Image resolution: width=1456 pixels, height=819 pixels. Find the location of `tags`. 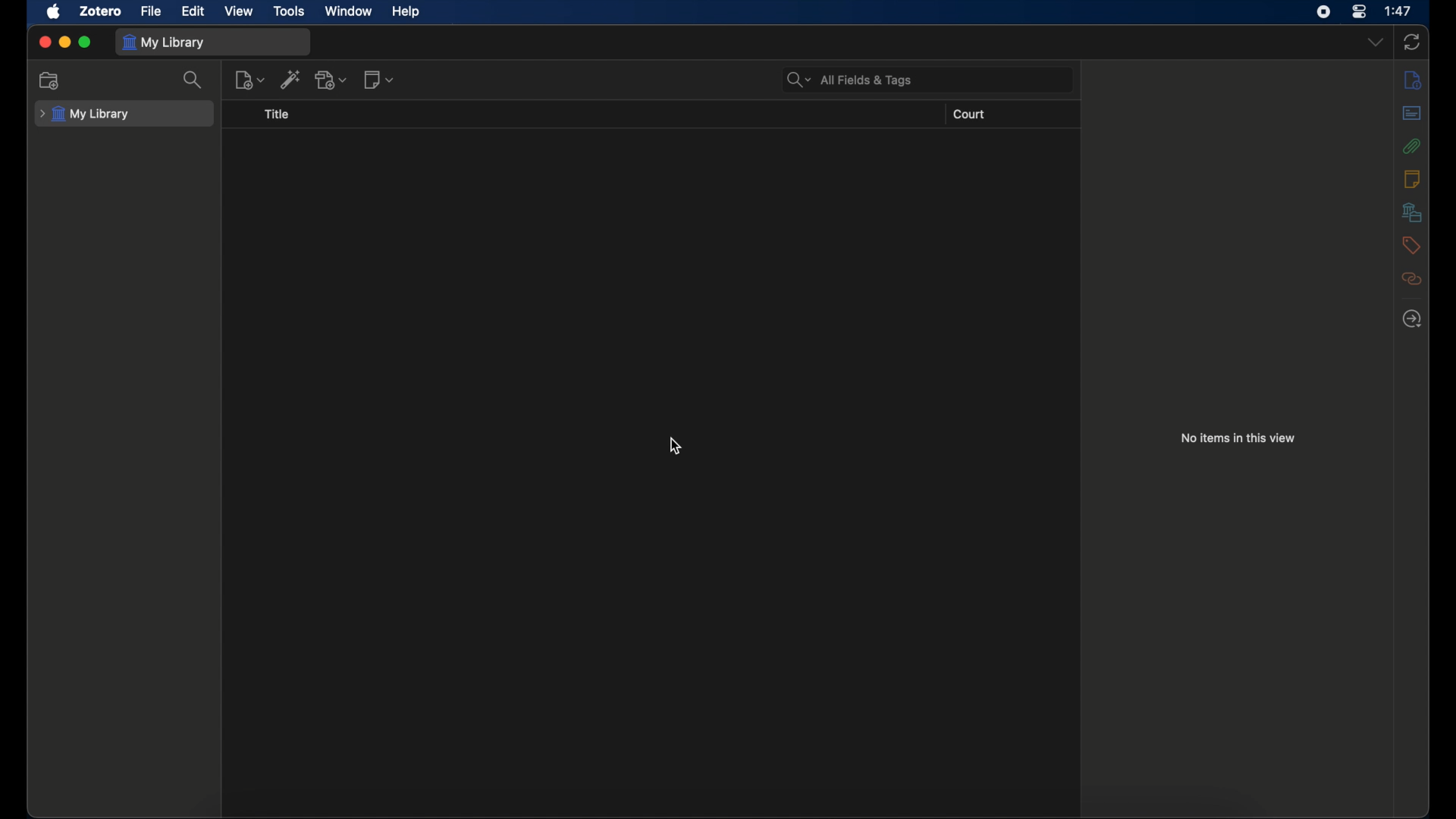

tags is located at coordinates (1410, 244).